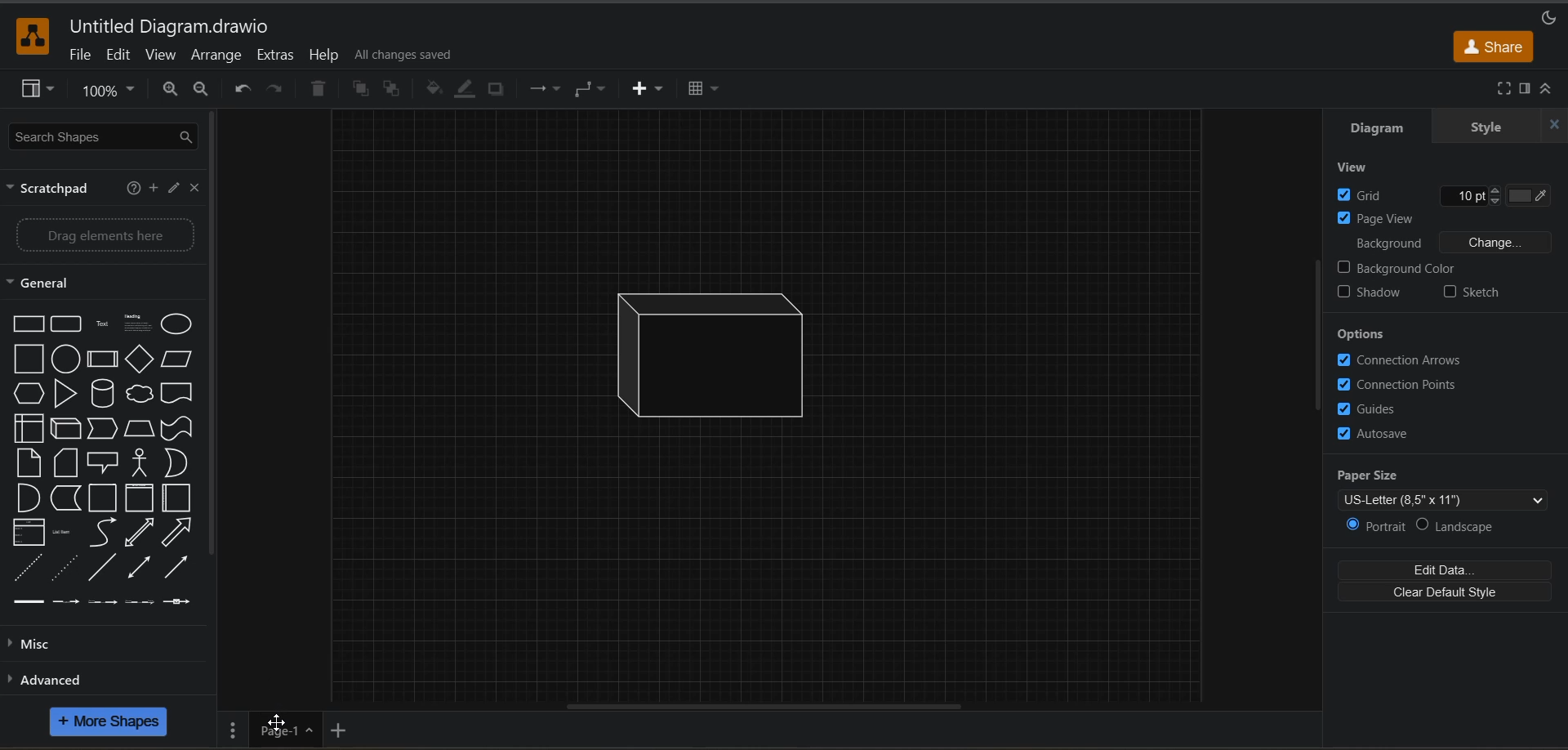  Describe the element at coordinates (1548, 19) in the screenshot. I see `appearance` at that location.